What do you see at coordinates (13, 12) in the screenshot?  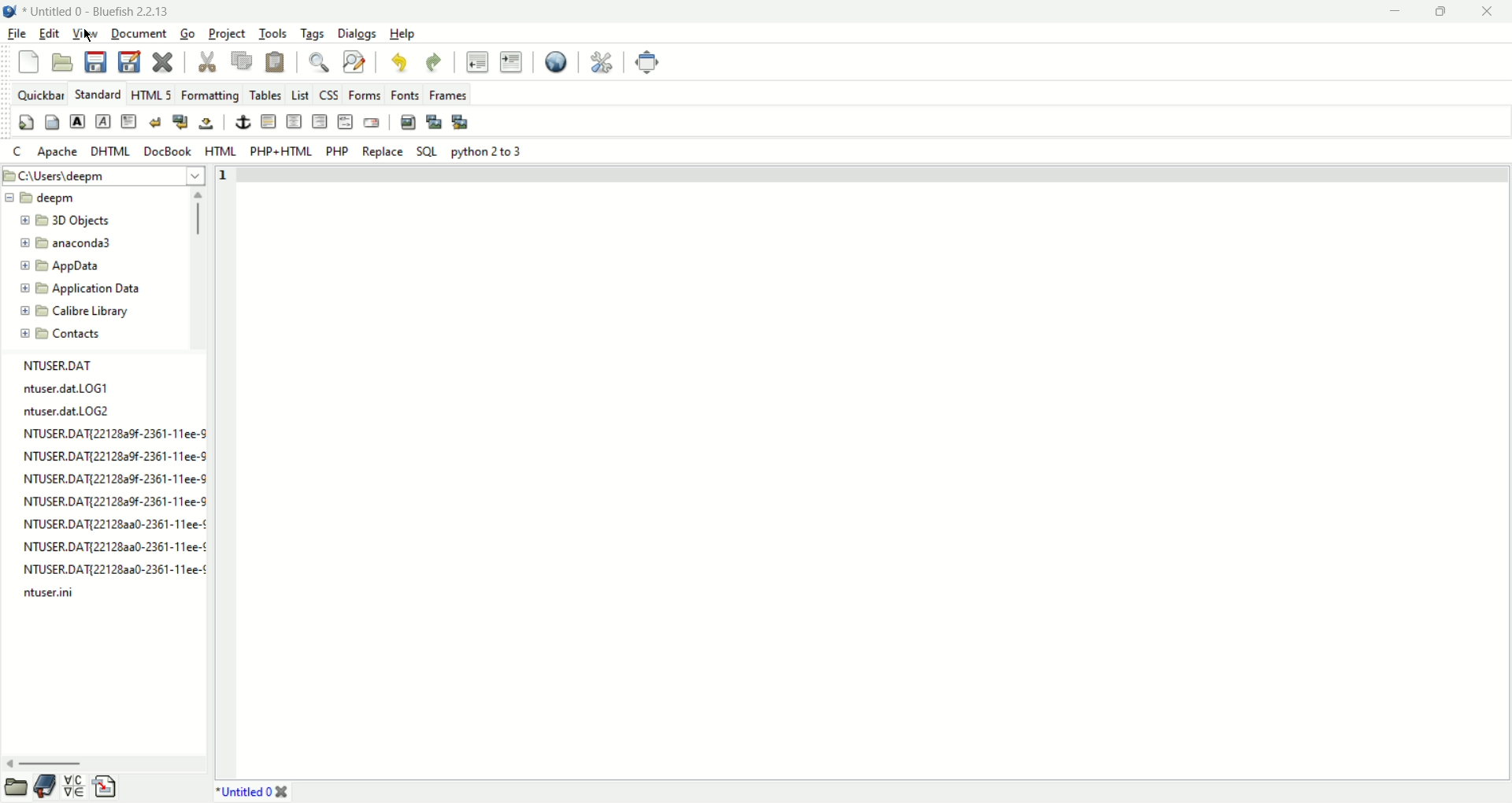 I see `application icon` at bounding box center [13, 12].